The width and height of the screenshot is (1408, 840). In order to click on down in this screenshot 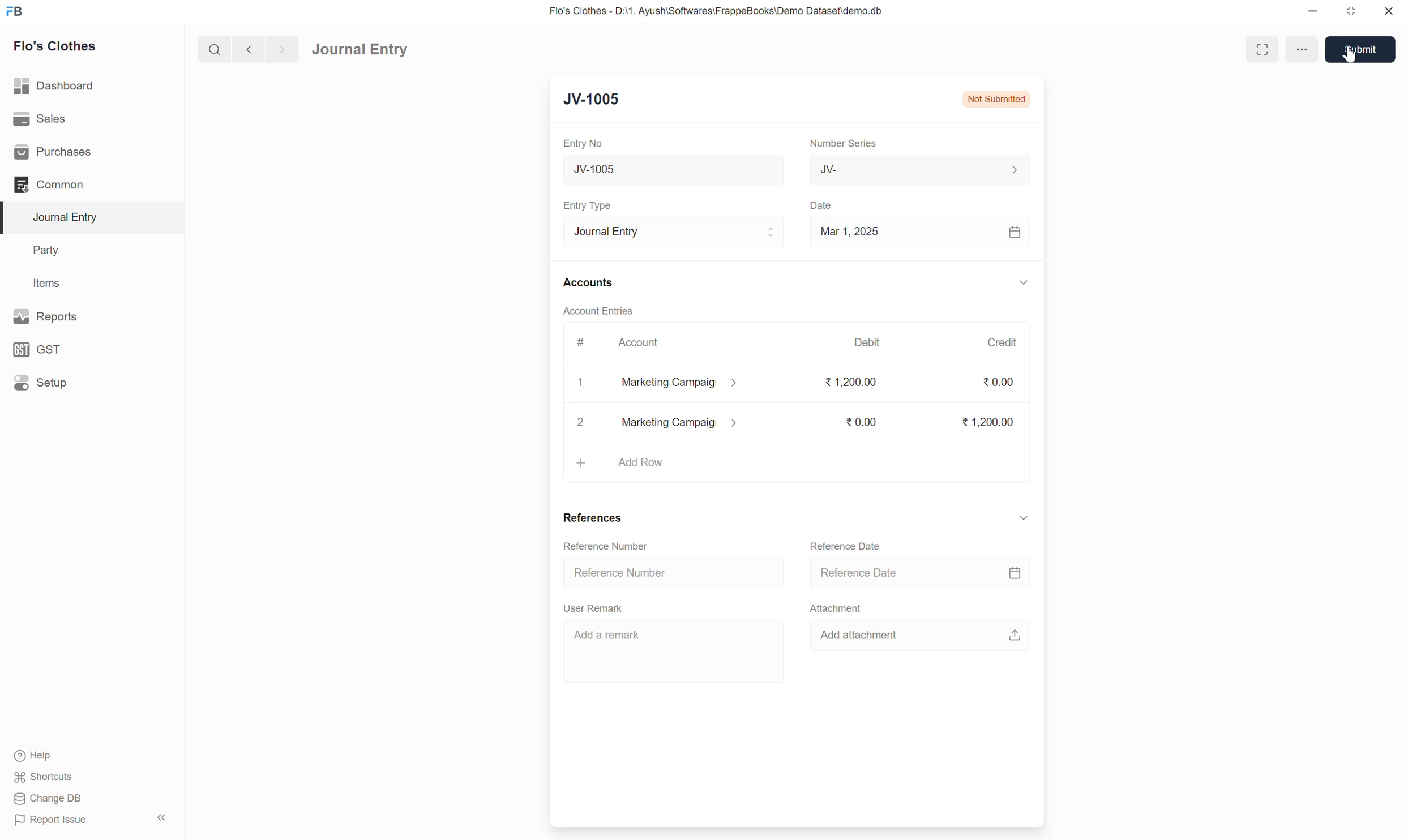, I will do `click(1023, 518)`.